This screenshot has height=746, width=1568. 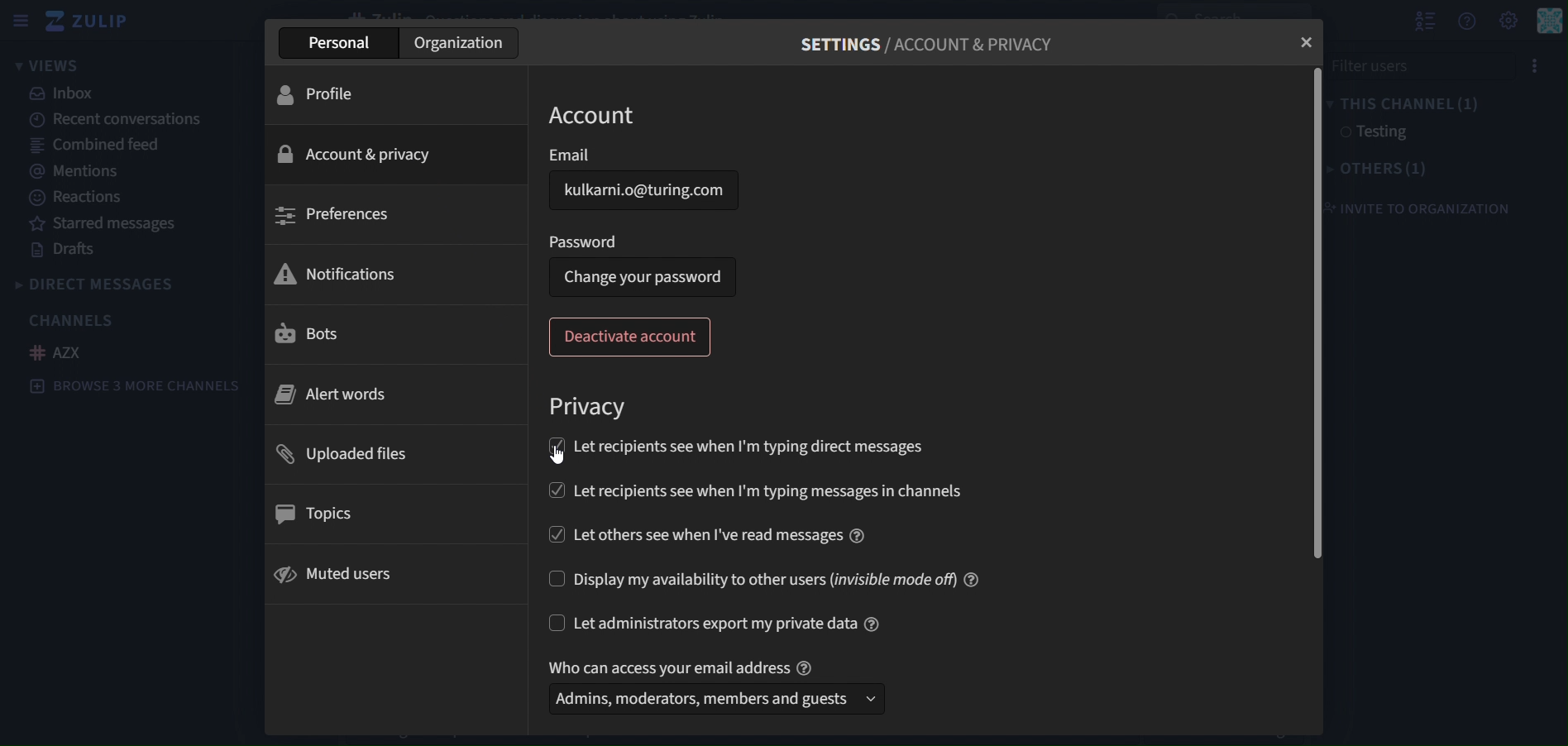 What do you see at coordinates (351, 274) in the screenshot?
I see `notifications` at bounding box center [351, 274].